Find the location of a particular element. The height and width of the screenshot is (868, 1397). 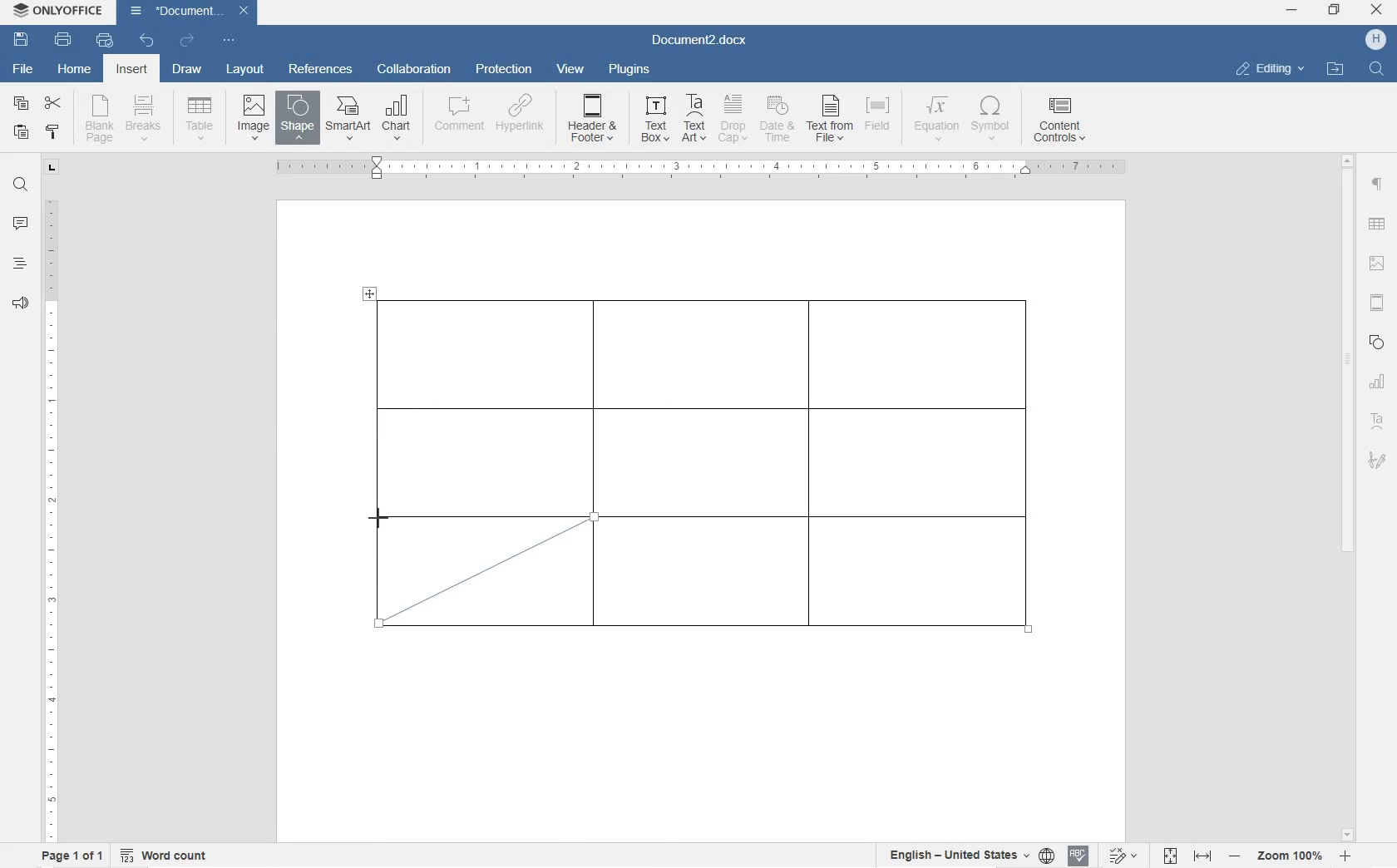

shape is located at coordinates (1377, 342).